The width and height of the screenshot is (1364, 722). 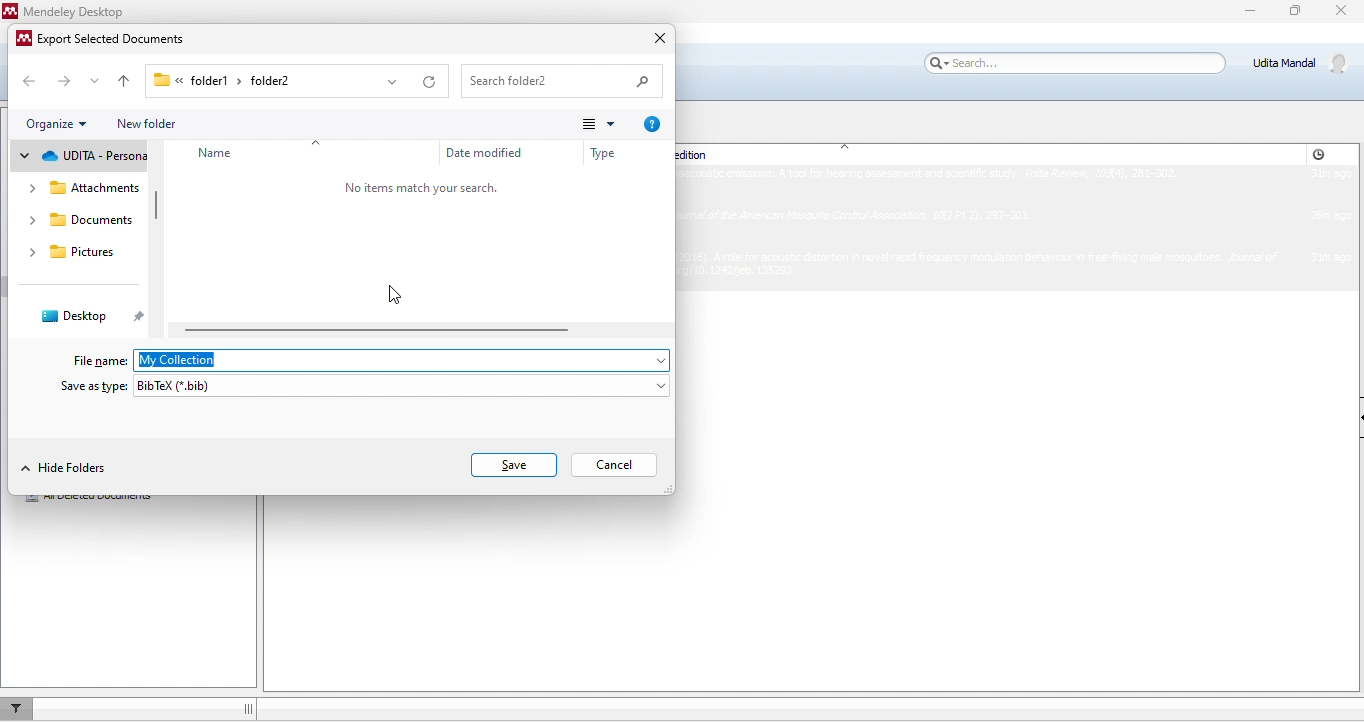 What do you see at coordinates (1303, 63) in the screenshot?
I see `account` at bounding box center [1303, 63].